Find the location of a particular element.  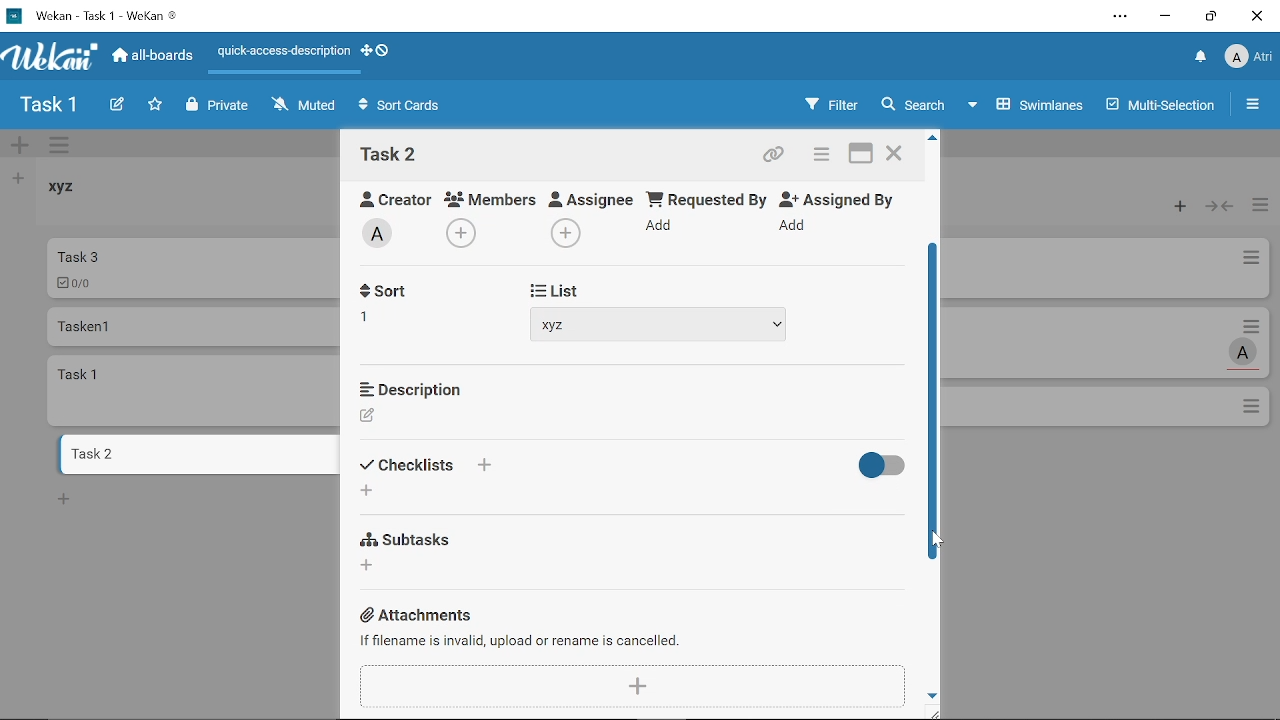

xyz is located at coordinates (660, 323).